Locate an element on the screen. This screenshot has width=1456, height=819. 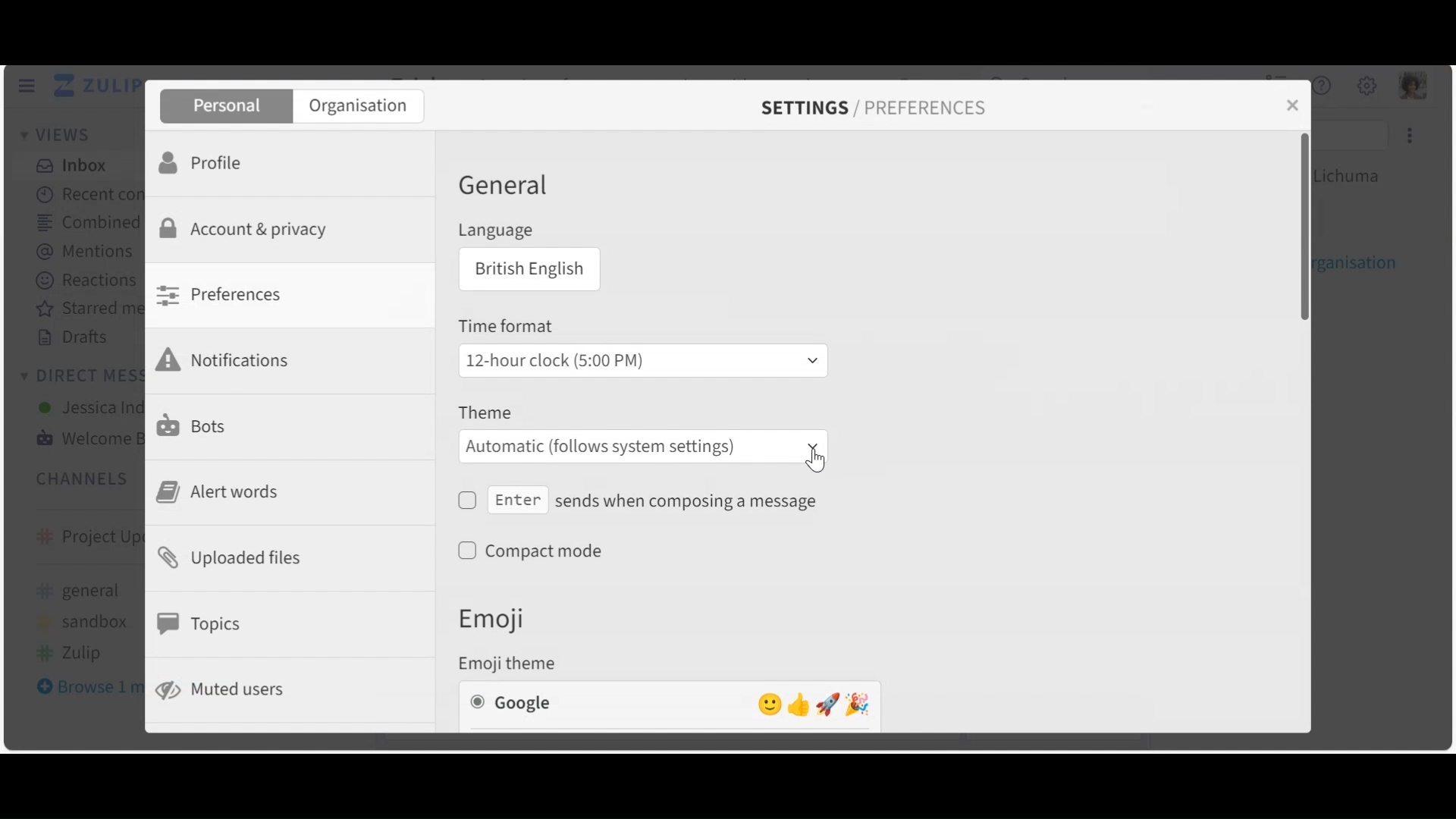
Time Format Dropdown menu is located at coordinates (641, 359).